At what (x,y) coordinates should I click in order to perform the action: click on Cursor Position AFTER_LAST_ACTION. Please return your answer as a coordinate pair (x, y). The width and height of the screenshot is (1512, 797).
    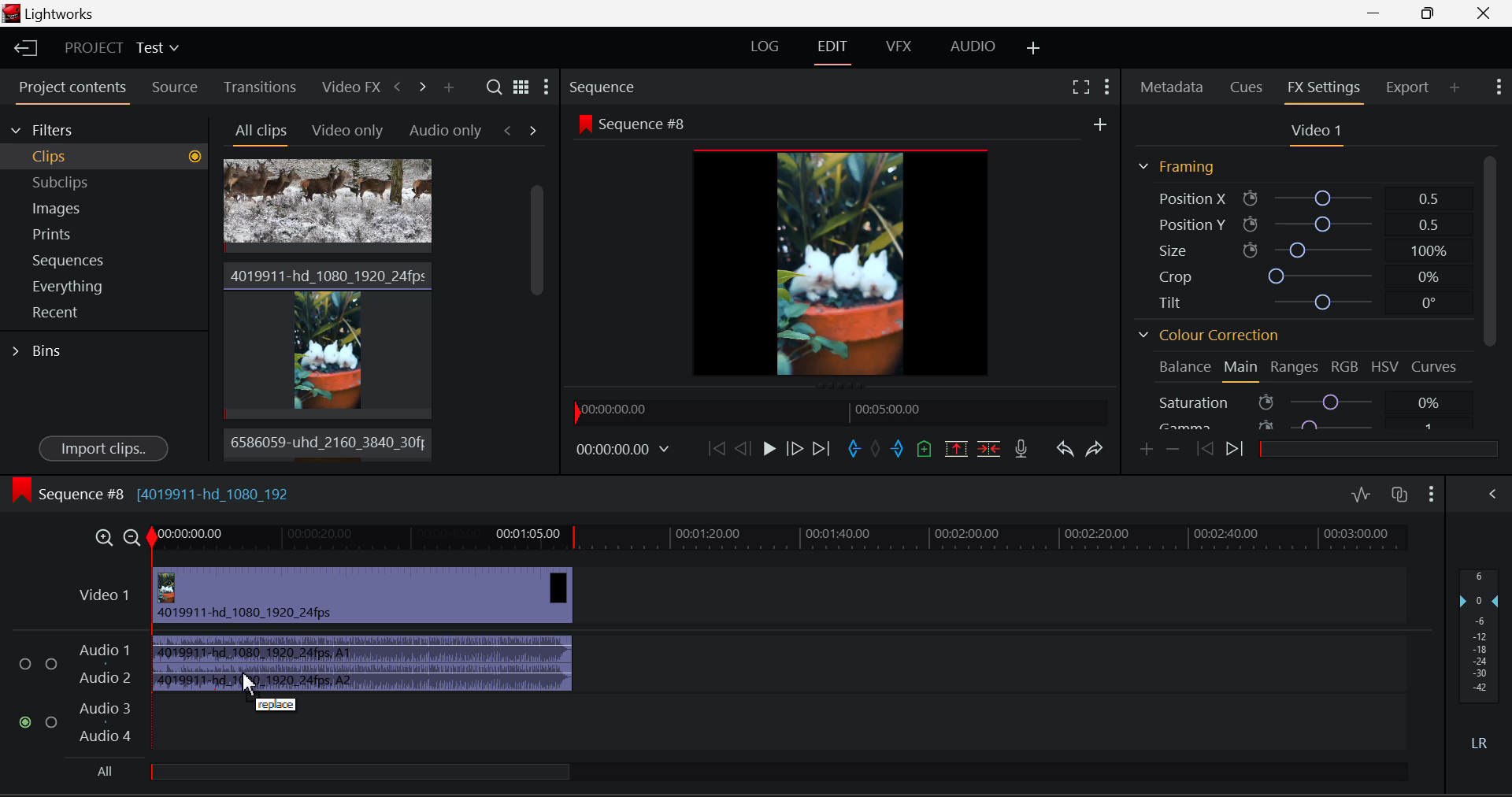
    Looking at the image, I should click on (255, 686).